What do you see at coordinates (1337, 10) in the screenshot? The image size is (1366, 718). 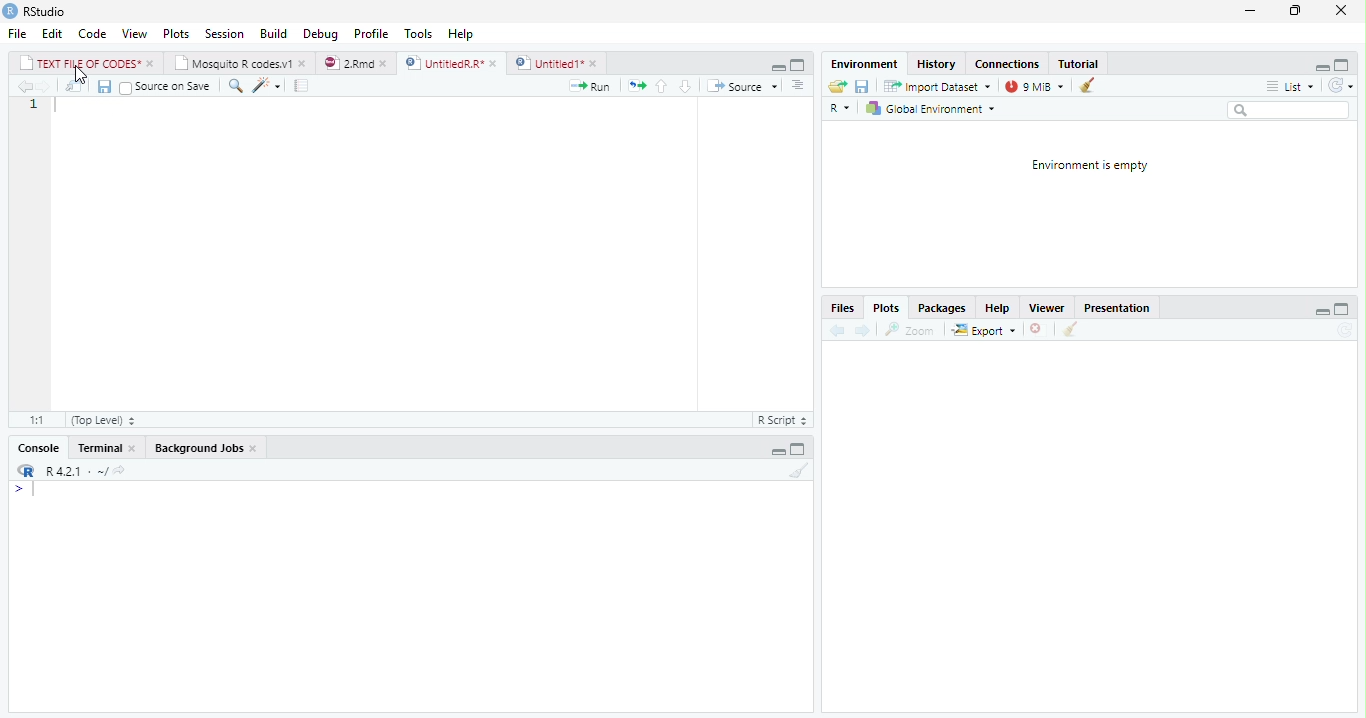 I see `close` at bounding box center [1337, 10].